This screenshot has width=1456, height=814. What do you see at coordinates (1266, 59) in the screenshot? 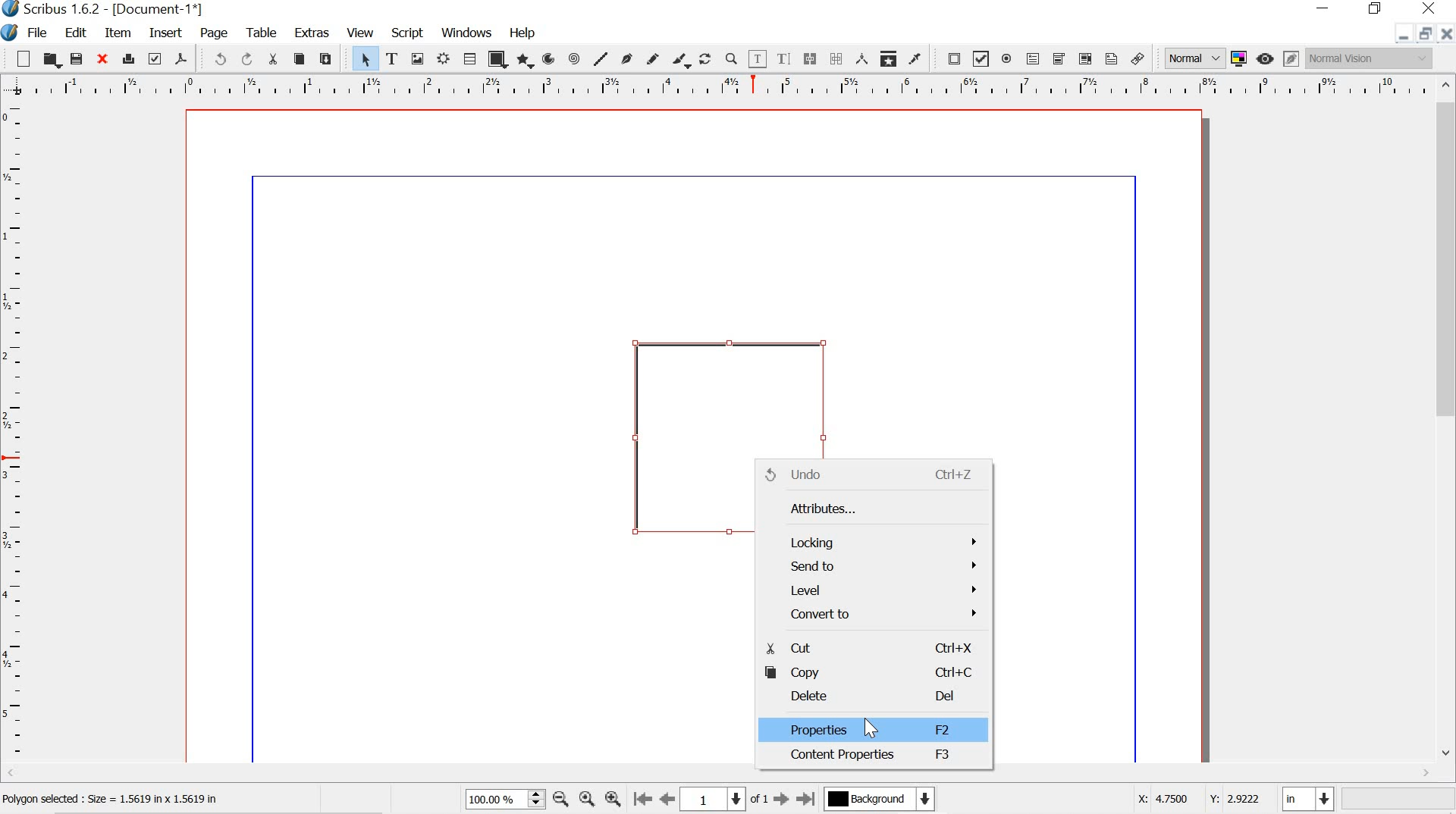
I see `preview mode` at bounding box center [1266, 59].